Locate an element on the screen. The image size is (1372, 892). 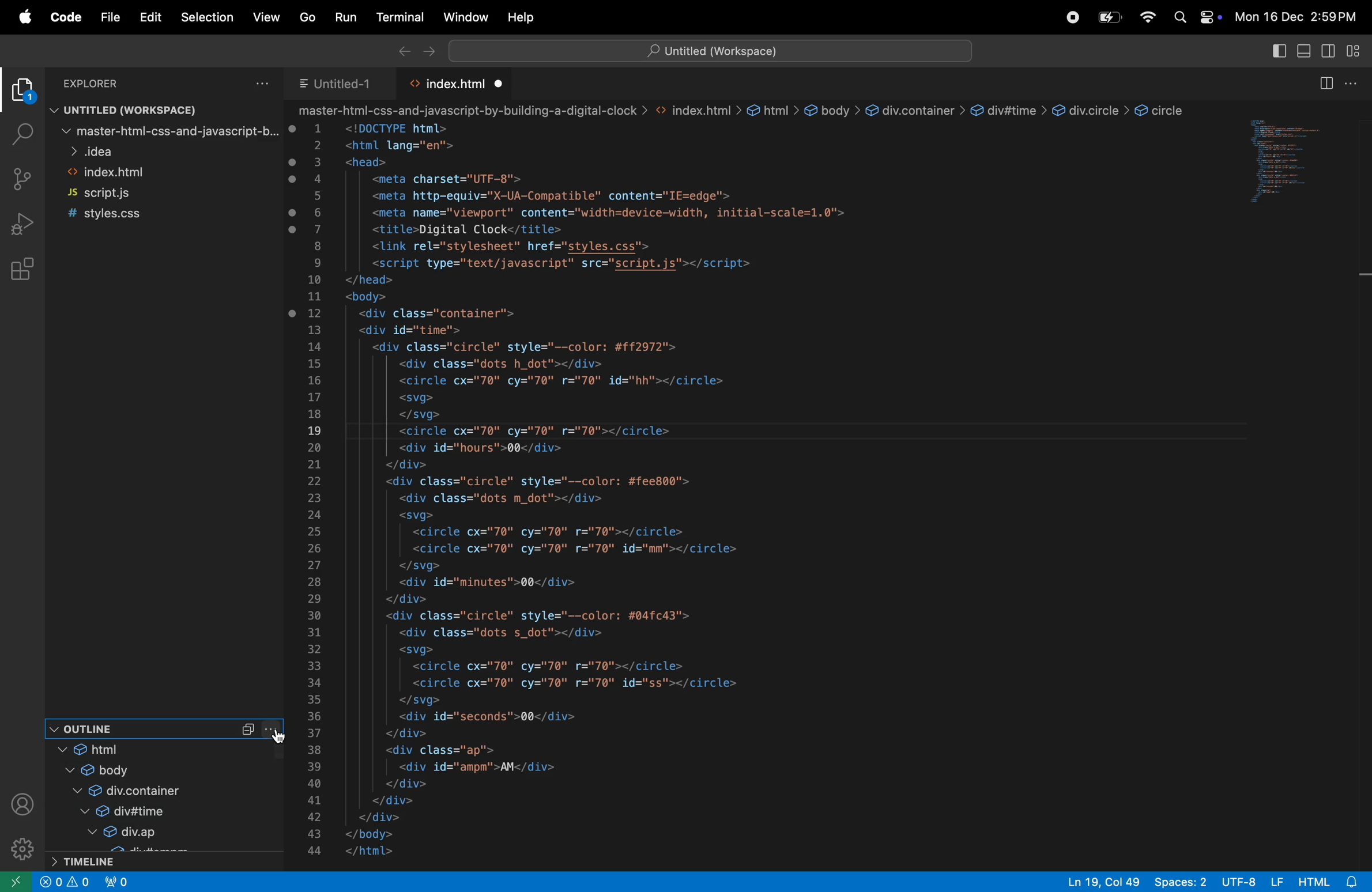
style.css is located at coordinates (120, 215).